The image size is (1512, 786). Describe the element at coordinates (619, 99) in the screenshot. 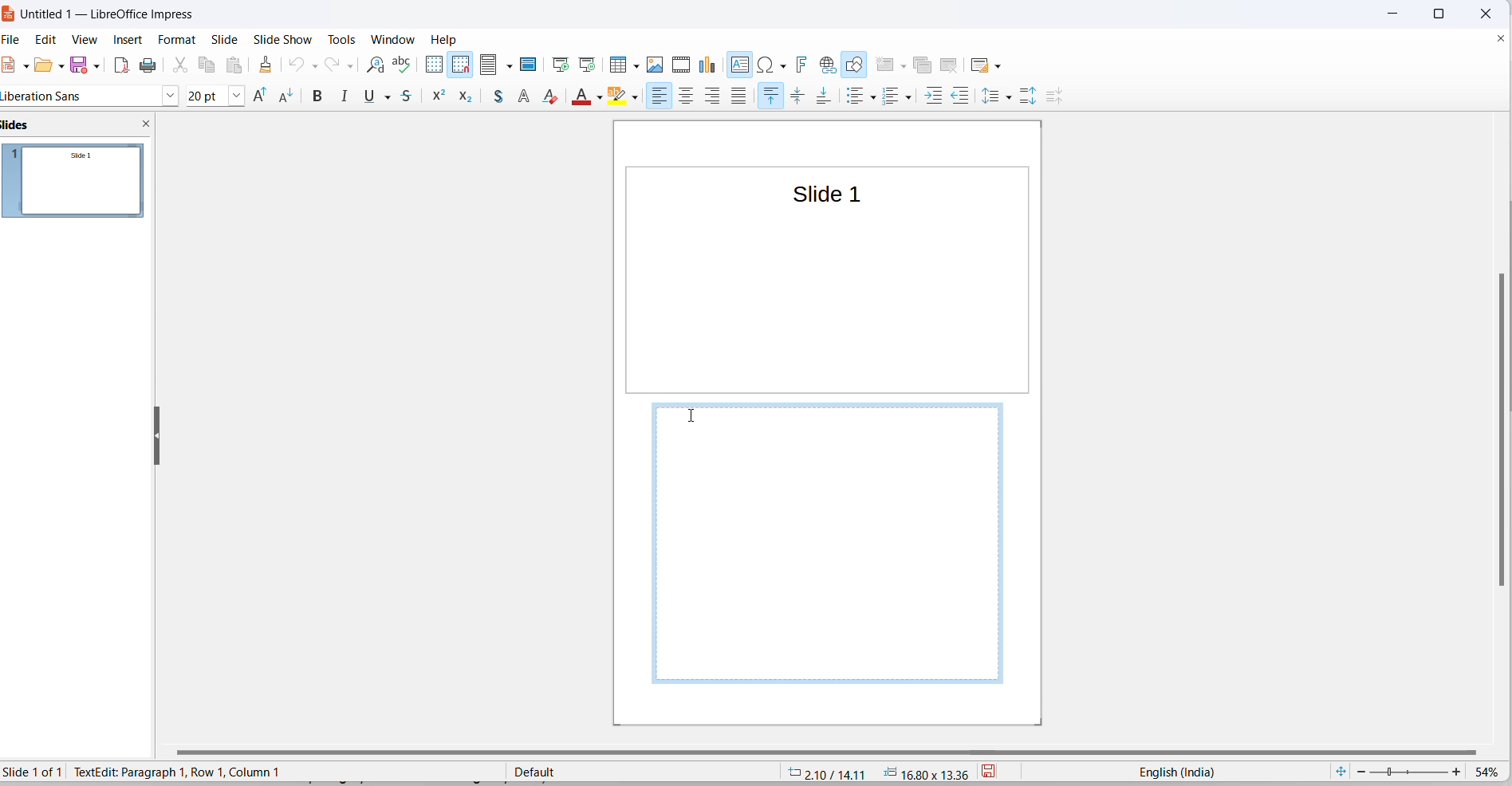

I see `align` at that location.